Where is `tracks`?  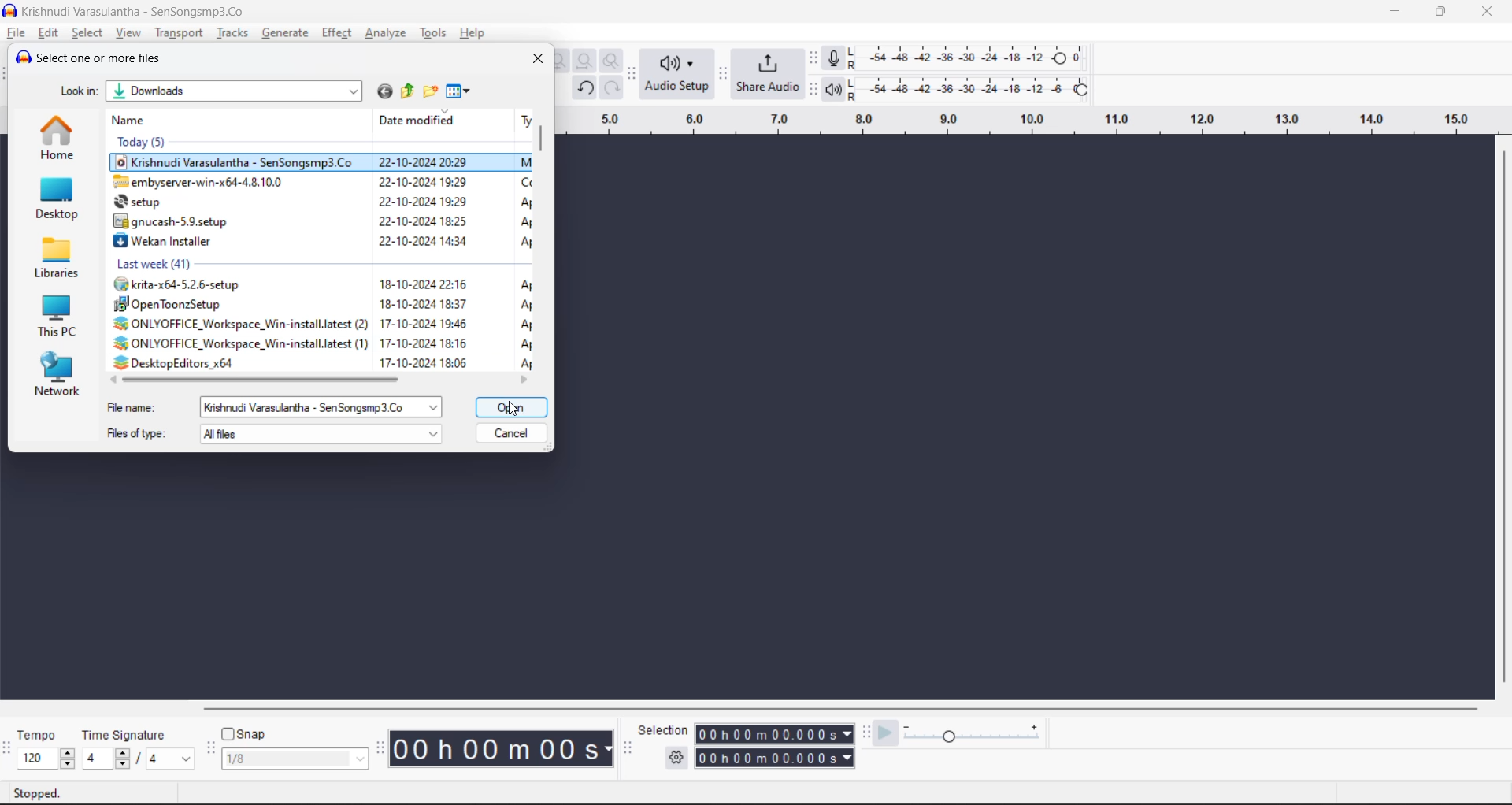 tracks is located at coordinates (232, 32).